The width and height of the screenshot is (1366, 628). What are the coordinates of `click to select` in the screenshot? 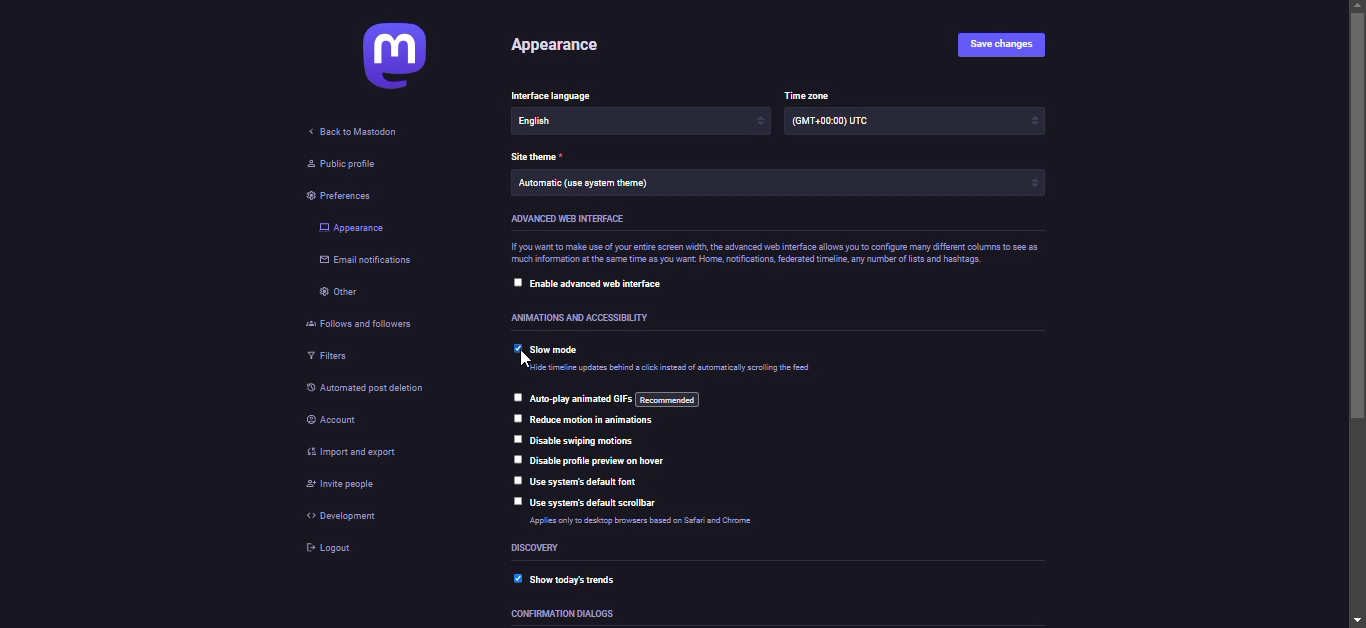 It's located at (516, 397).